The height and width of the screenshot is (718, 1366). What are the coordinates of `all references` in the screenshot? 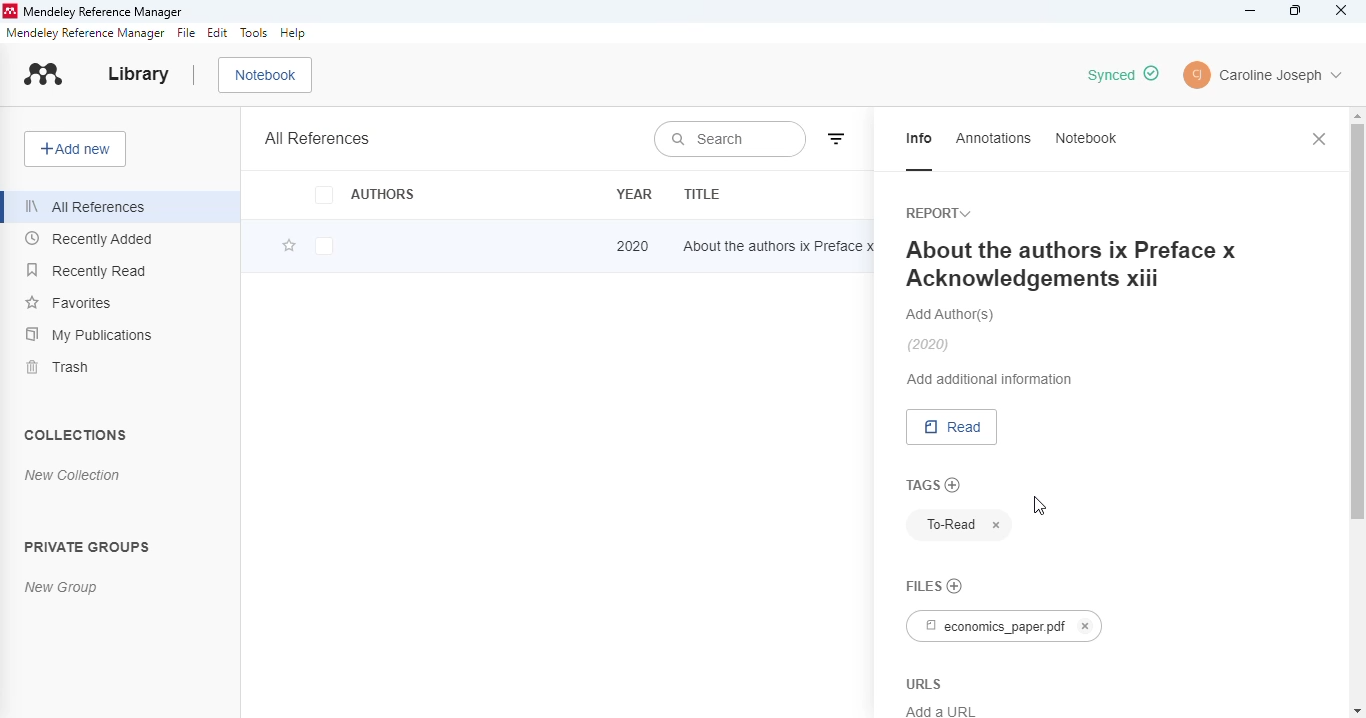 It's located at (318, 138).